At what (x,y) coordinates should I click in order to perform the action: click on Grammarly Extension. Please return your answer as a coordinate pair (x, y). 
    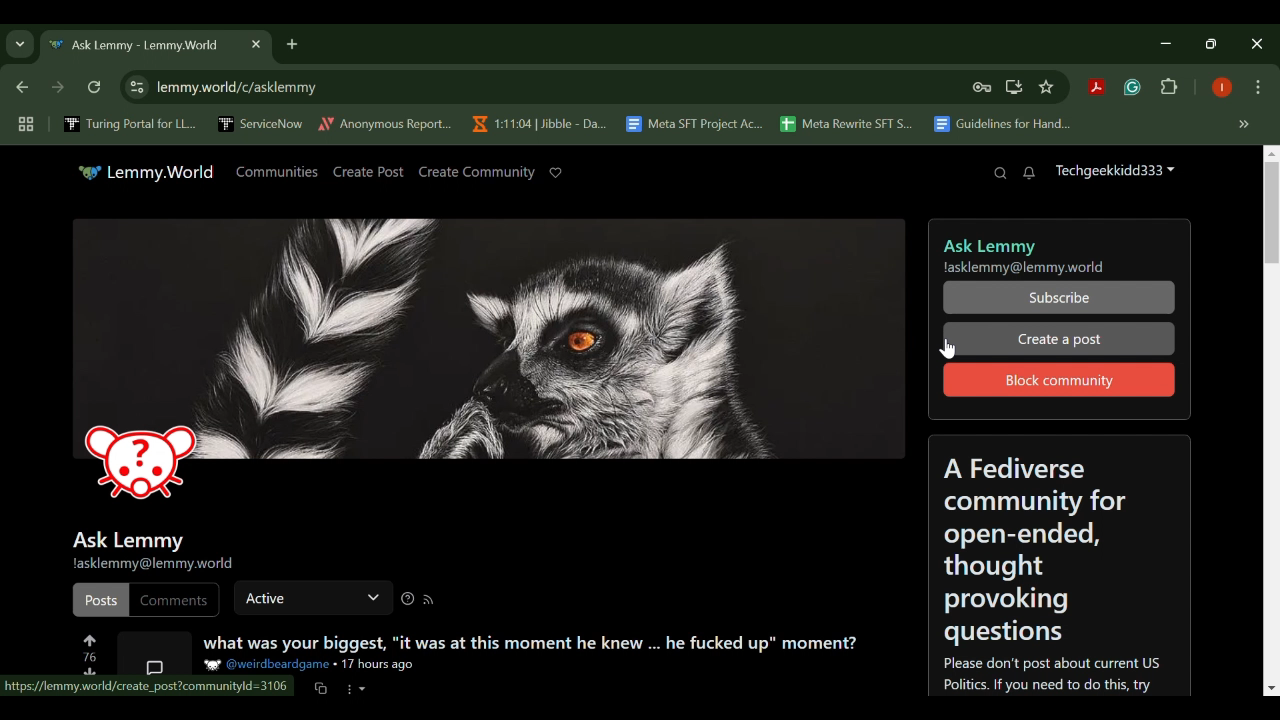
    Looking at the image, I should click on (1130, 88).